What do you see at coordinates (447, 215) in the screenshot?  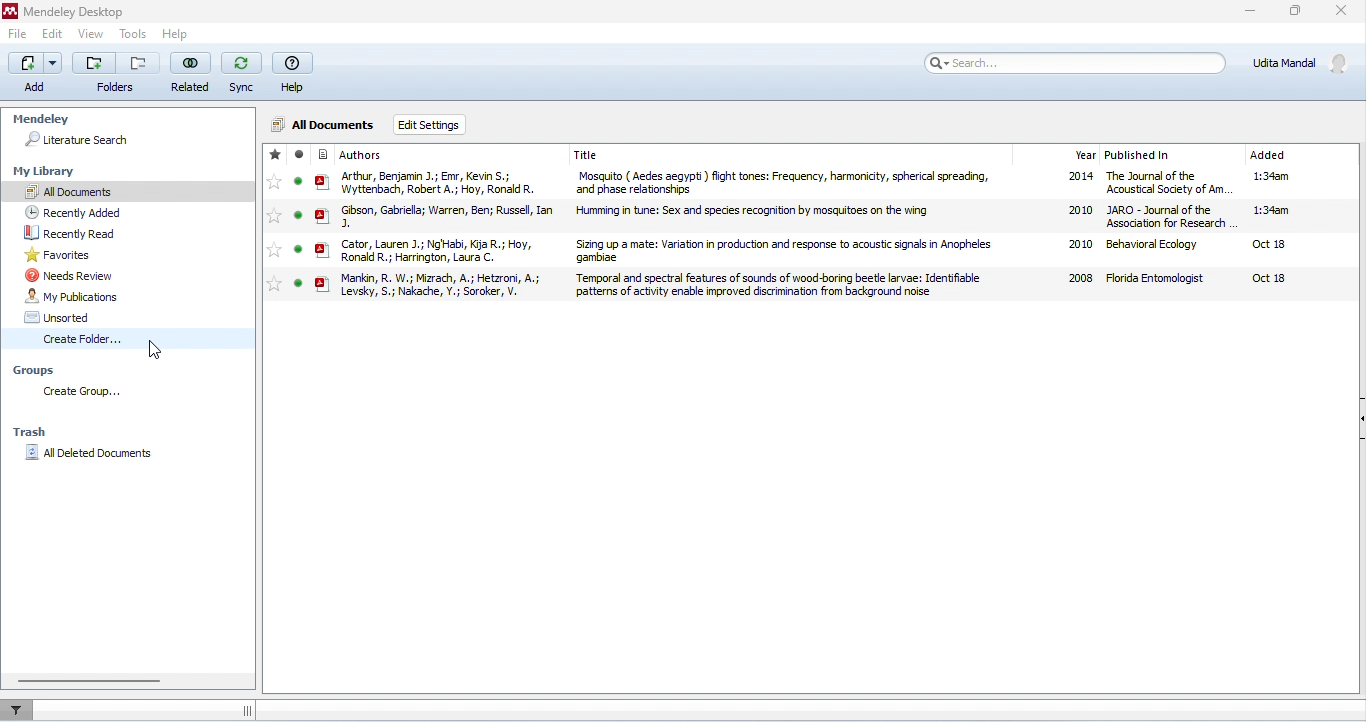 I see `Gibson, Gabriella Warren, Ben Russell, Ian J.` at bounding box center [447, 215].